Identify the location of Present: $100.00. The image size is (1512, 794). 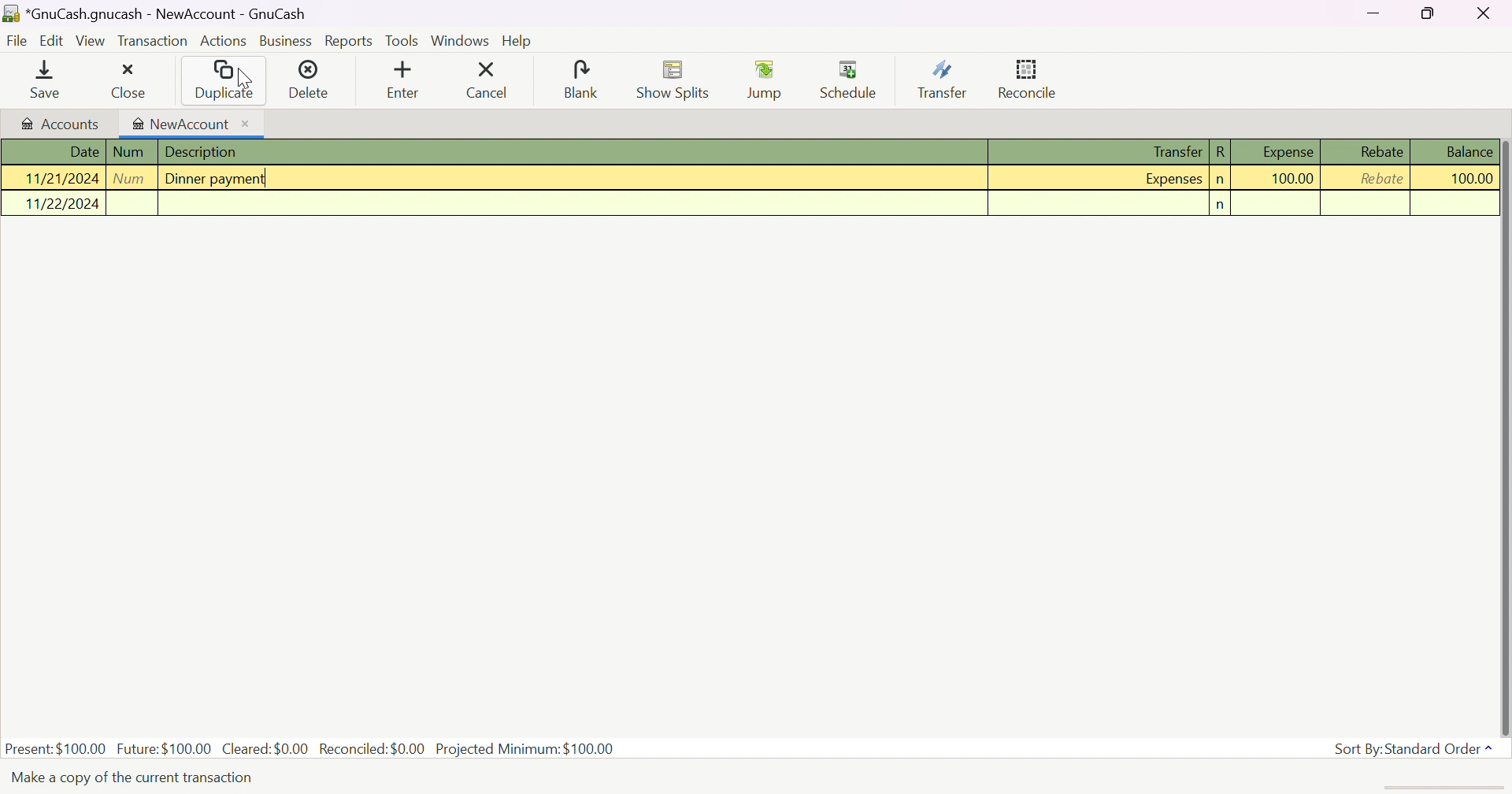
(56, 748).